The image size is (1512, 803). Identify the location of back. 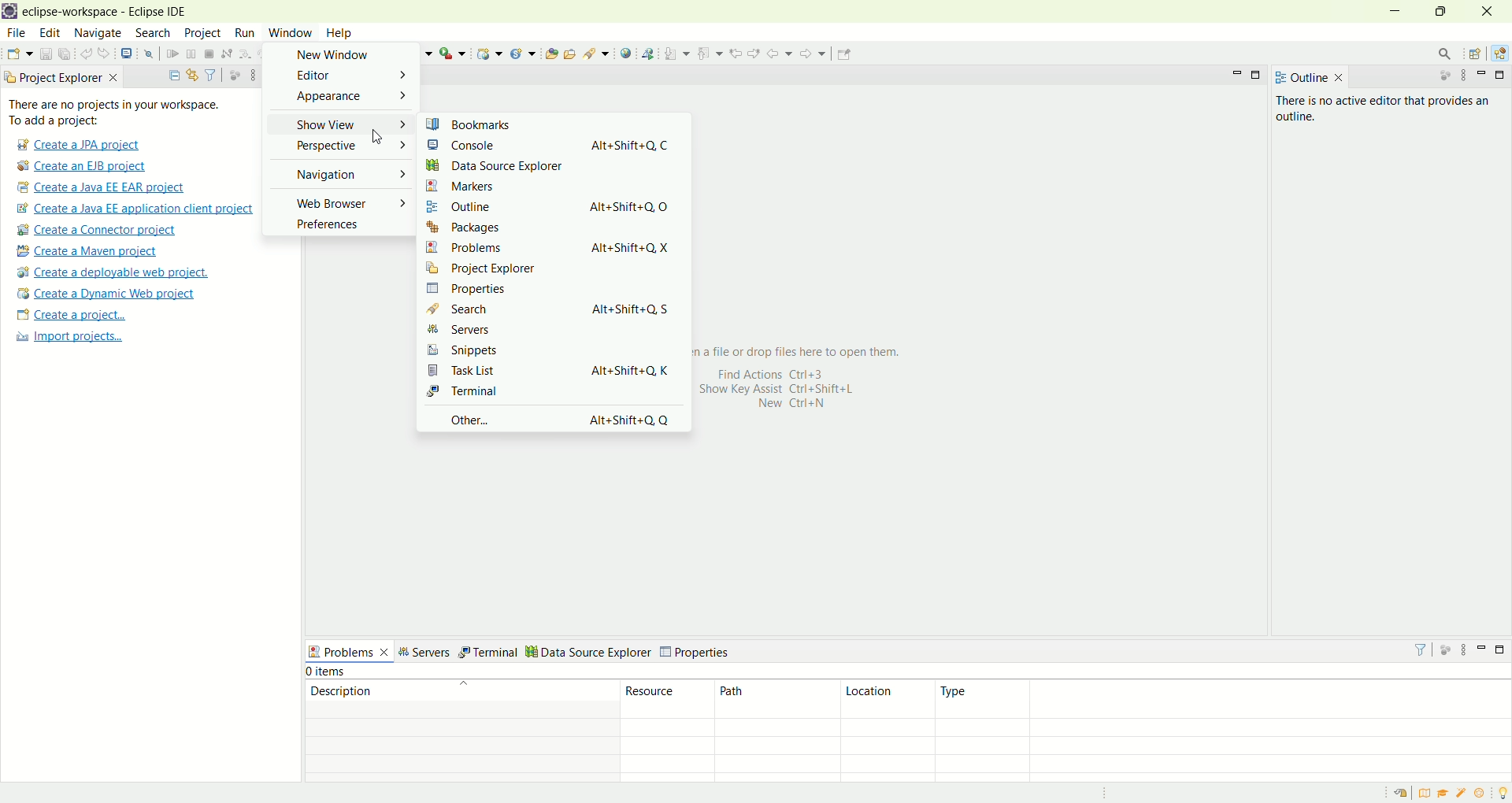
(780, 53).